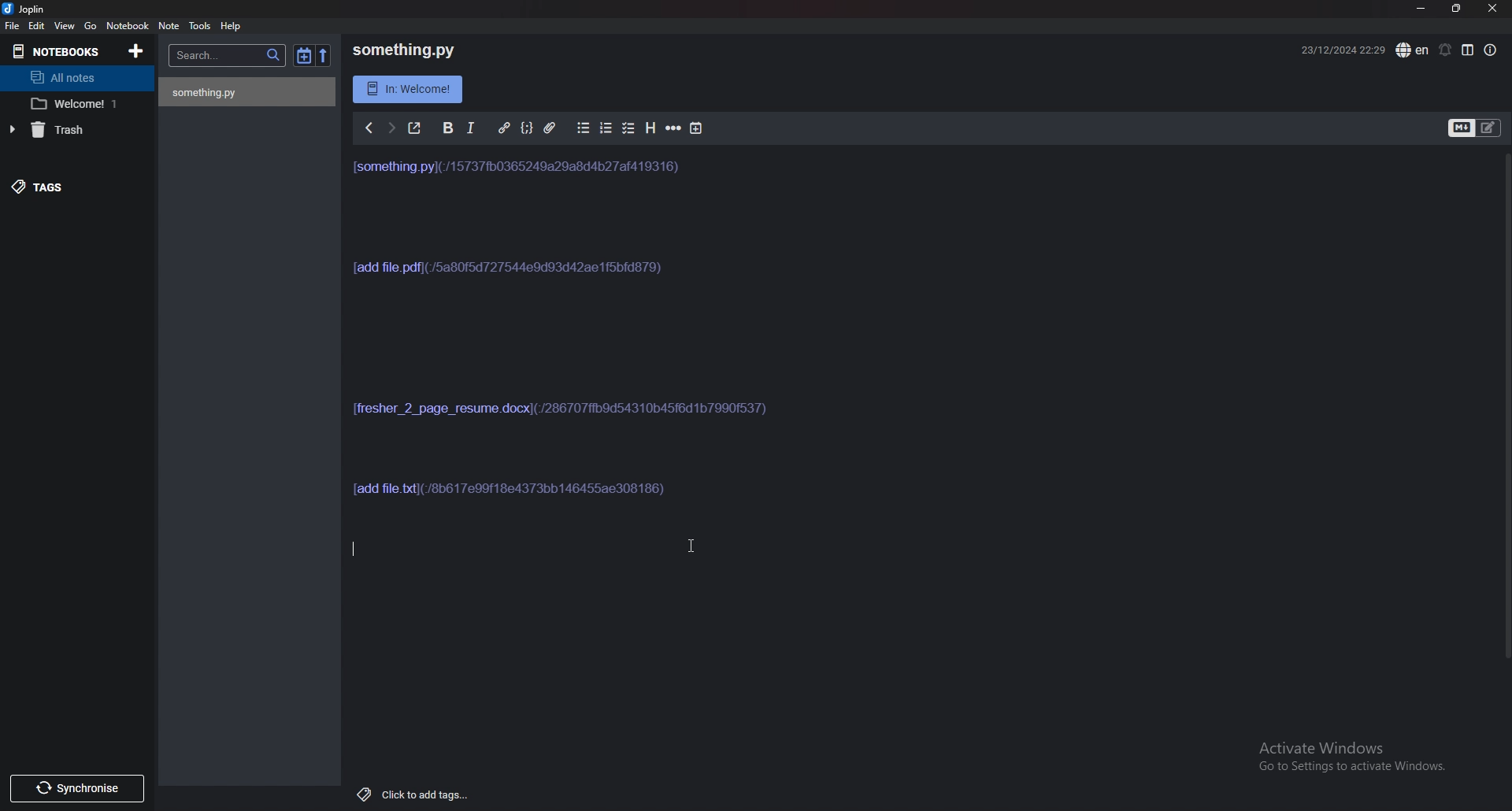  I want to click on close, so click(1493, 8).